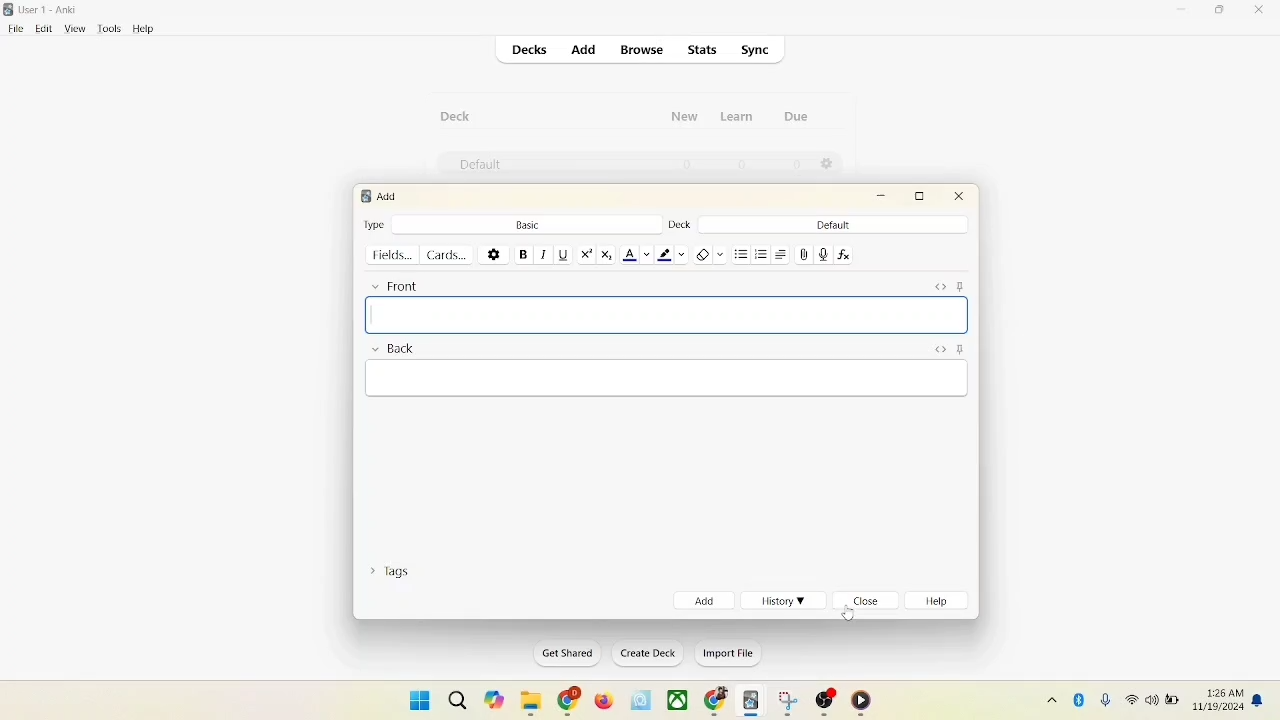 The width and height of the screenshot is (1280, 720). I want to click on Bluetooth, so click(1080, 697).